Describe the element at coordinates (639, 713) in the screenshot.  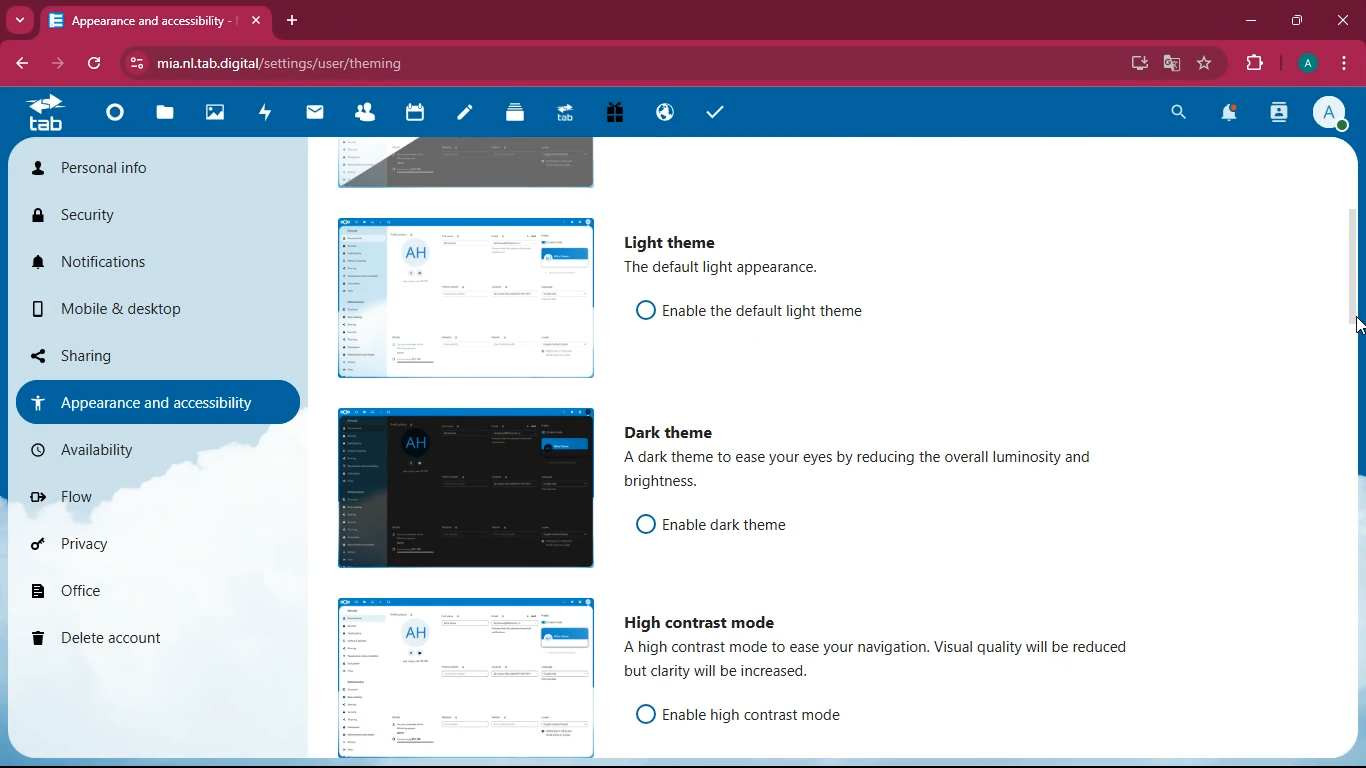
I see `on/off button` at that location.